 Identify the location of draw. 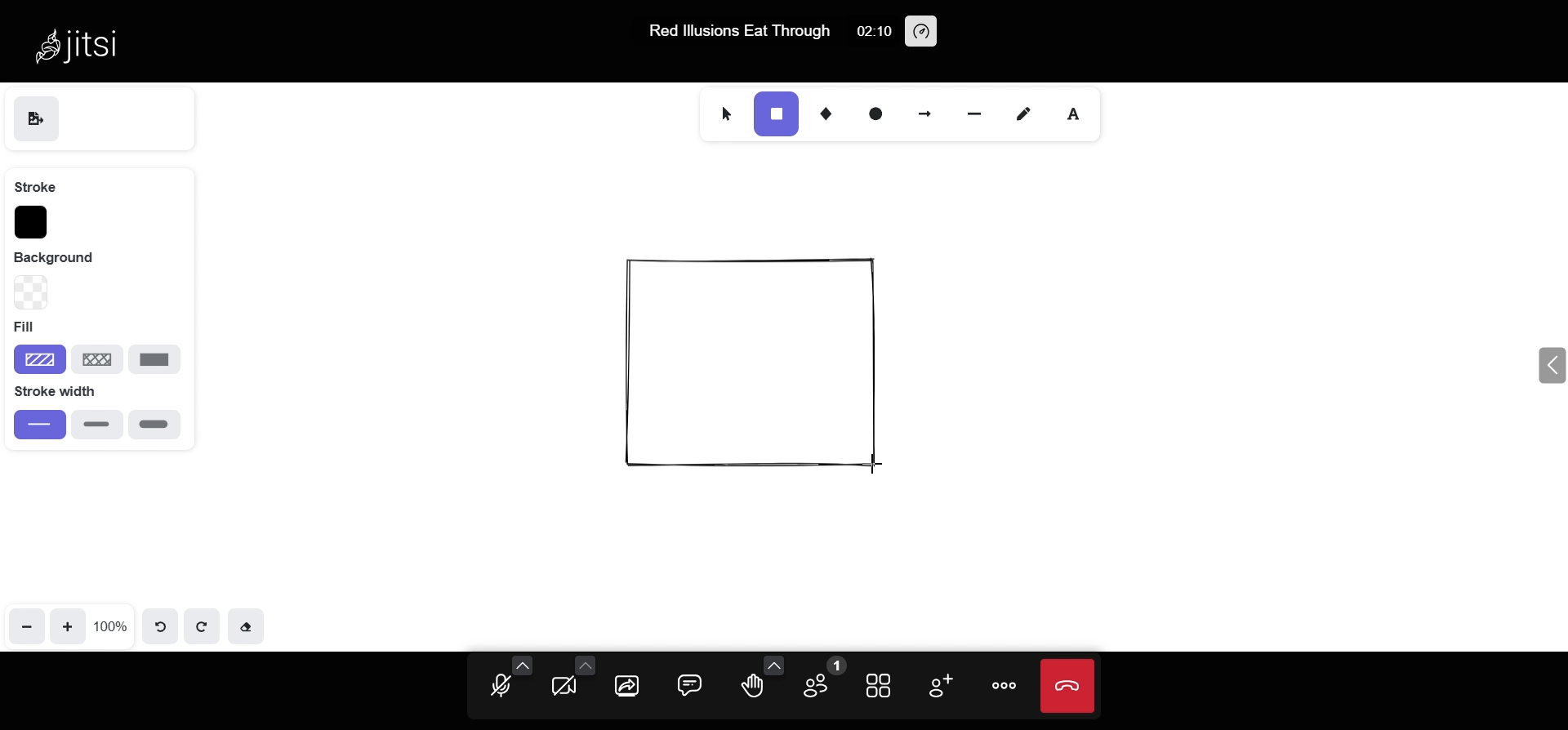
(1020, 113).